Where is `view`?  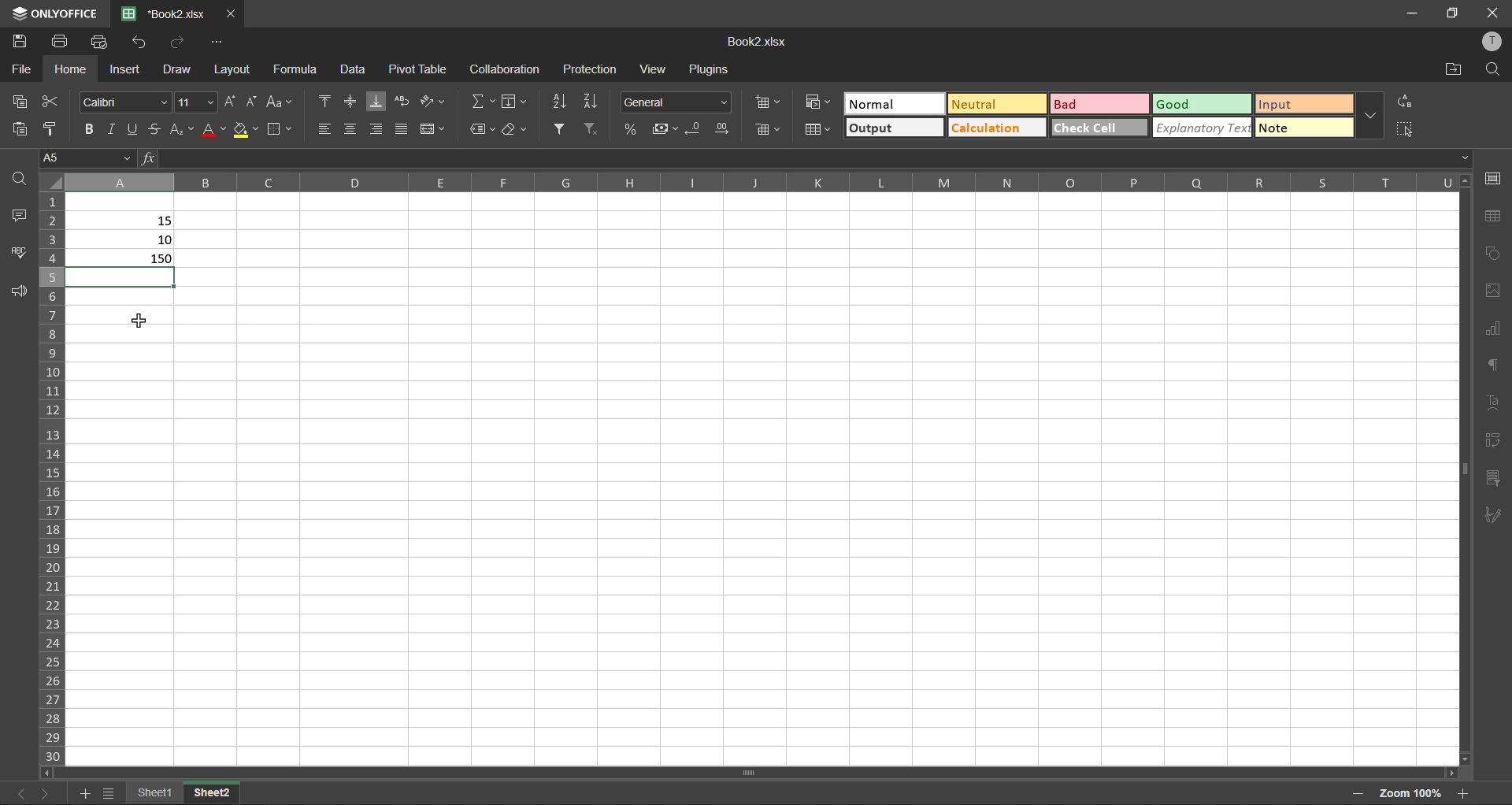
view is located at coordinates (651, 71).